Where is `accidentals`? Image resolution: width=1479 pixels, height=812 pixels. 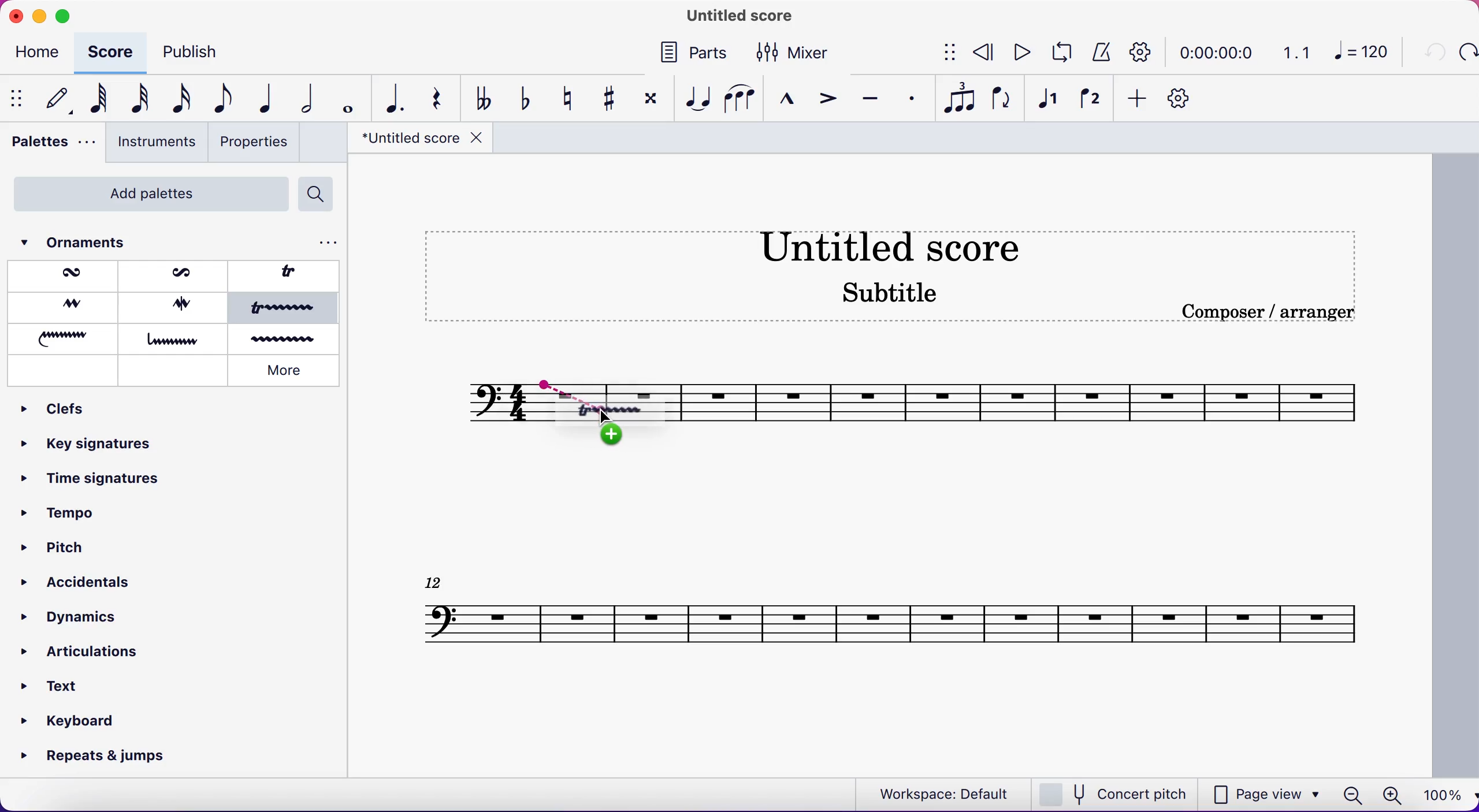
accidentals is located at coordinates (73, 578).